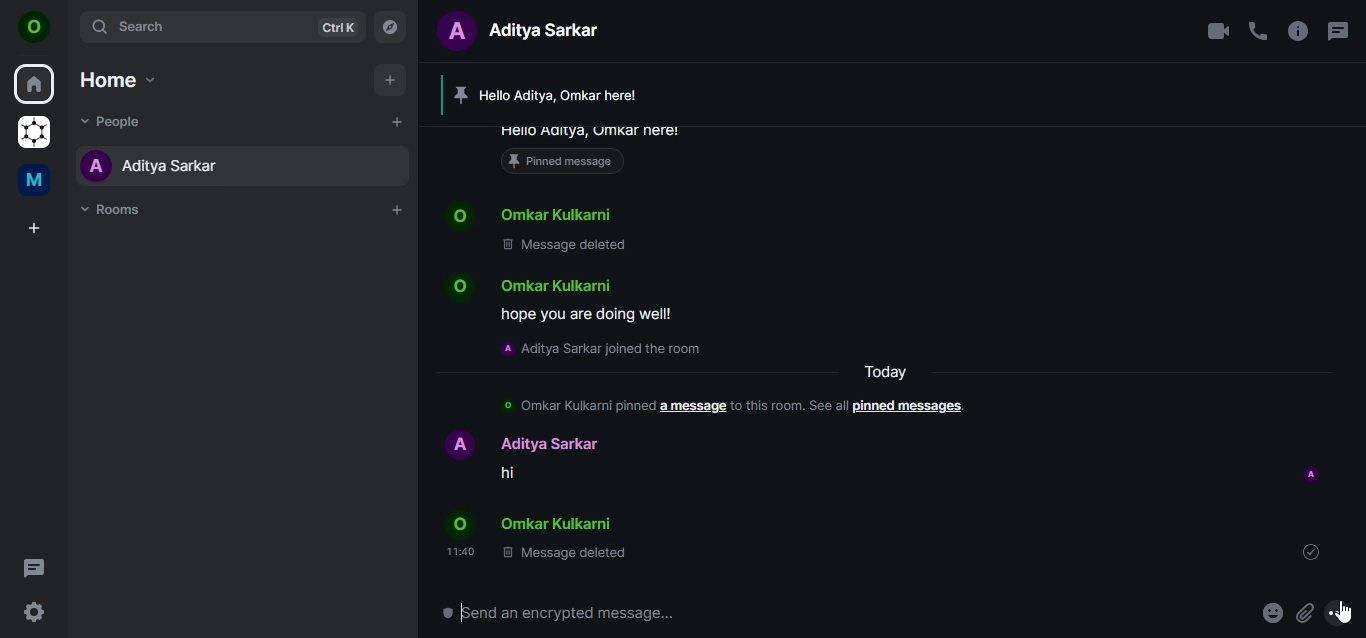  I want to click on Name© Message deleted Name hope you are doing wellla Aditya Sarkar joined the room, so click(582, 278).